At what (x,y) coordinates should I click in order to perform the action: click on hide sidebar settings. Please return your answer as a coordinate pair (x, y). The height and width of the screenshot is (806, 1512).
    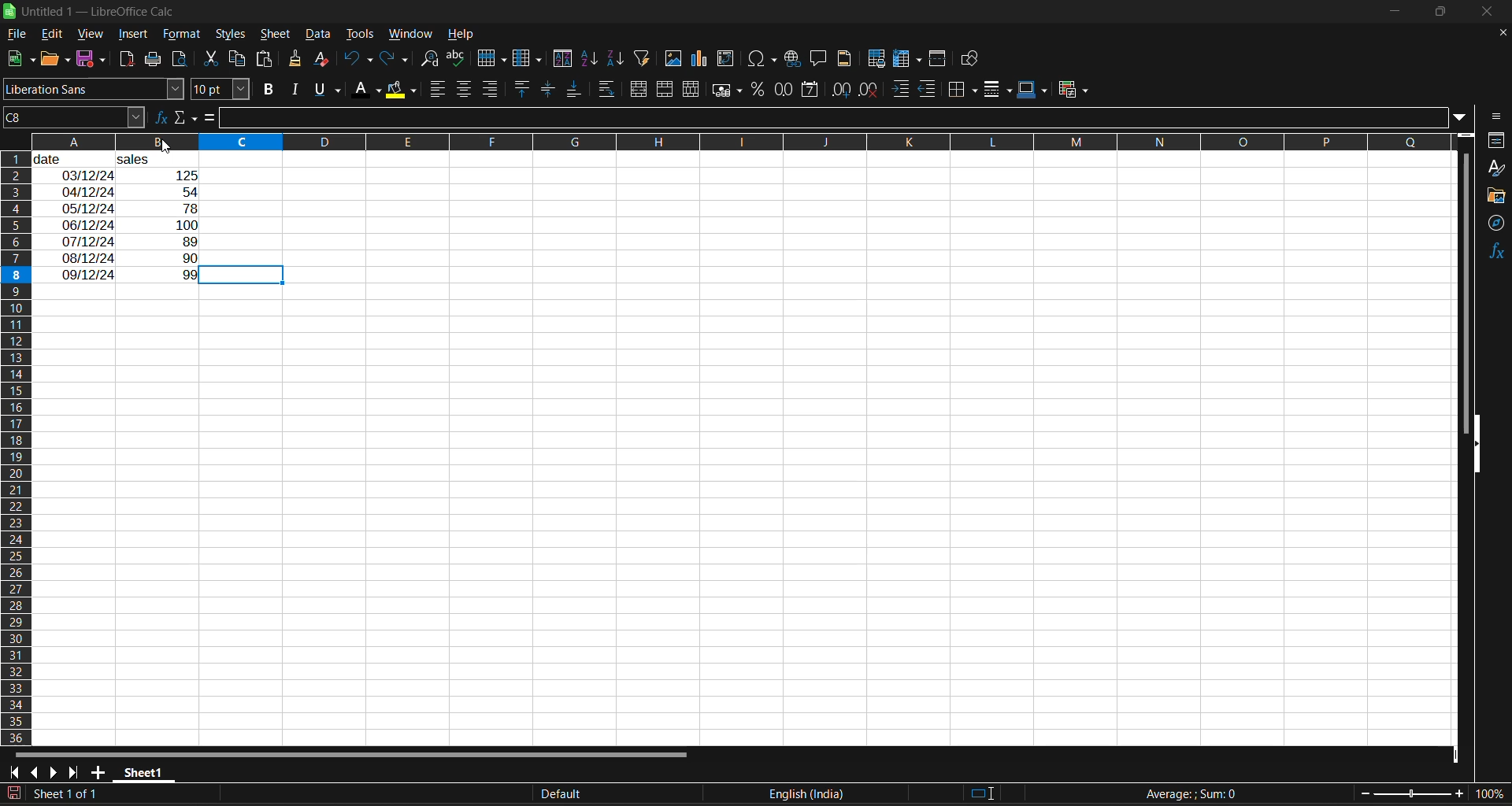
    Looking at the image, I should click on (1498, 117).